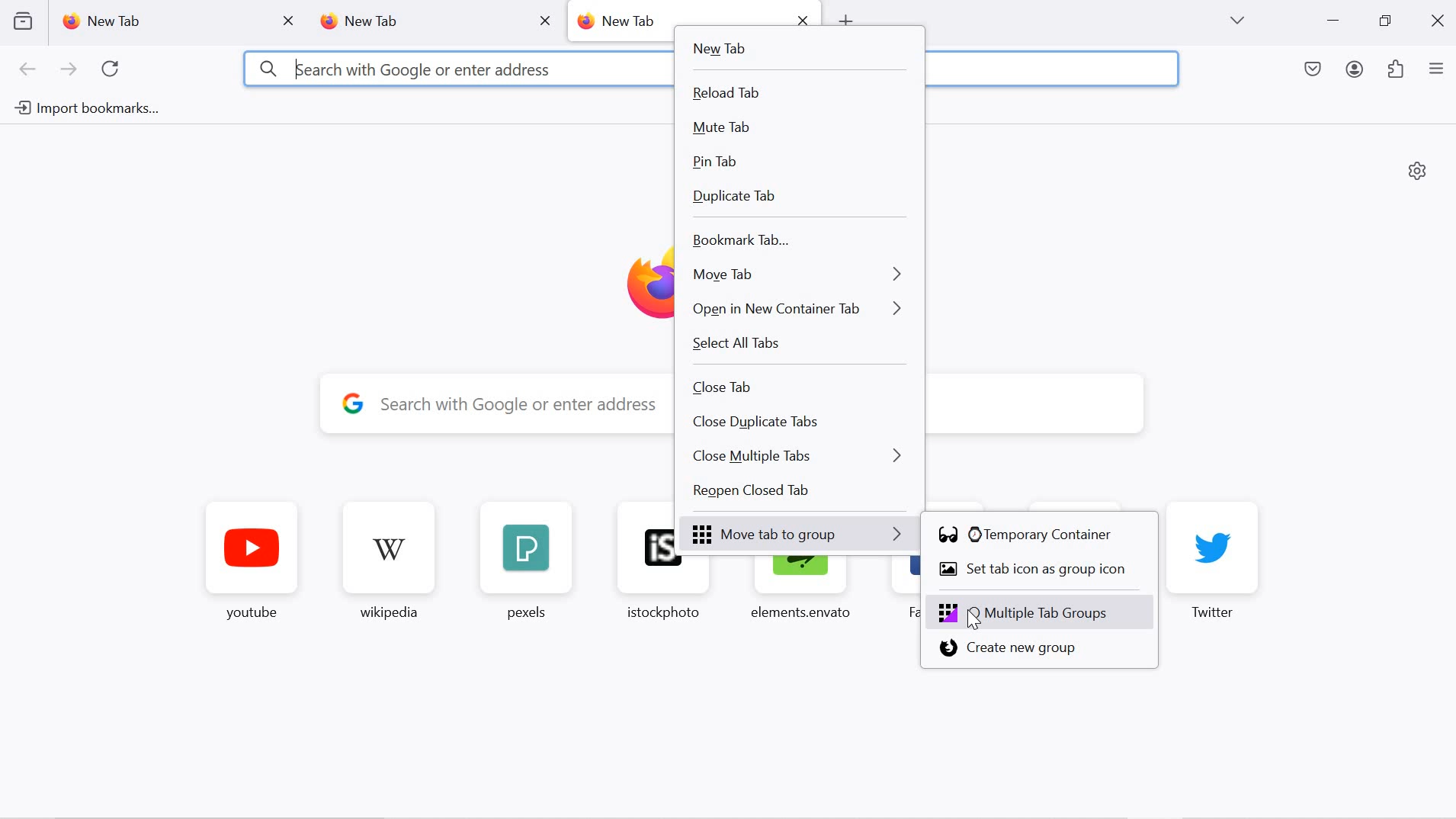  Describe the element at coordinates (1333, 22) in the screenshot. I see `minimize` at that location.